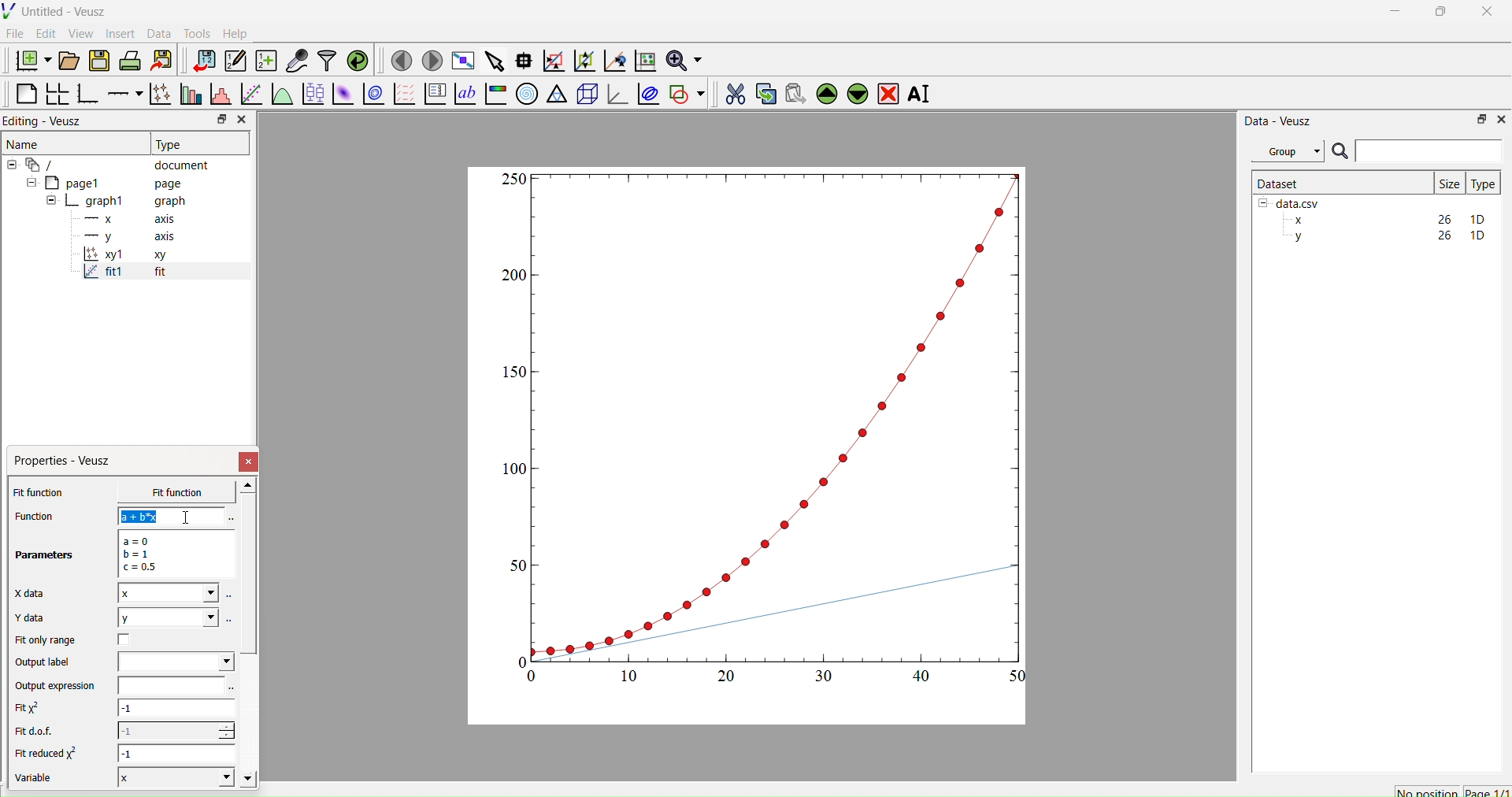 The image size is (1512, 797). What do you see at coordinates (1500, 118) in the screenshot?
I see `Close` at bounding box center [1500, 118].